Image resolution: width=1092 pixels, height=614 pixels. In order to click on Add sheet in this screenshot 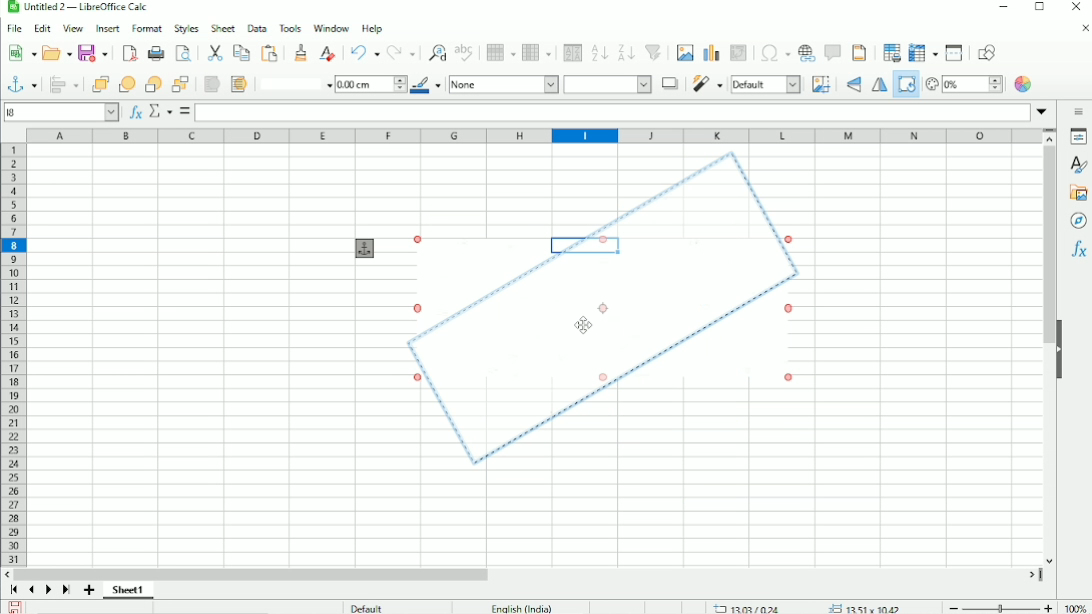, I will do `click(88, 590)`.